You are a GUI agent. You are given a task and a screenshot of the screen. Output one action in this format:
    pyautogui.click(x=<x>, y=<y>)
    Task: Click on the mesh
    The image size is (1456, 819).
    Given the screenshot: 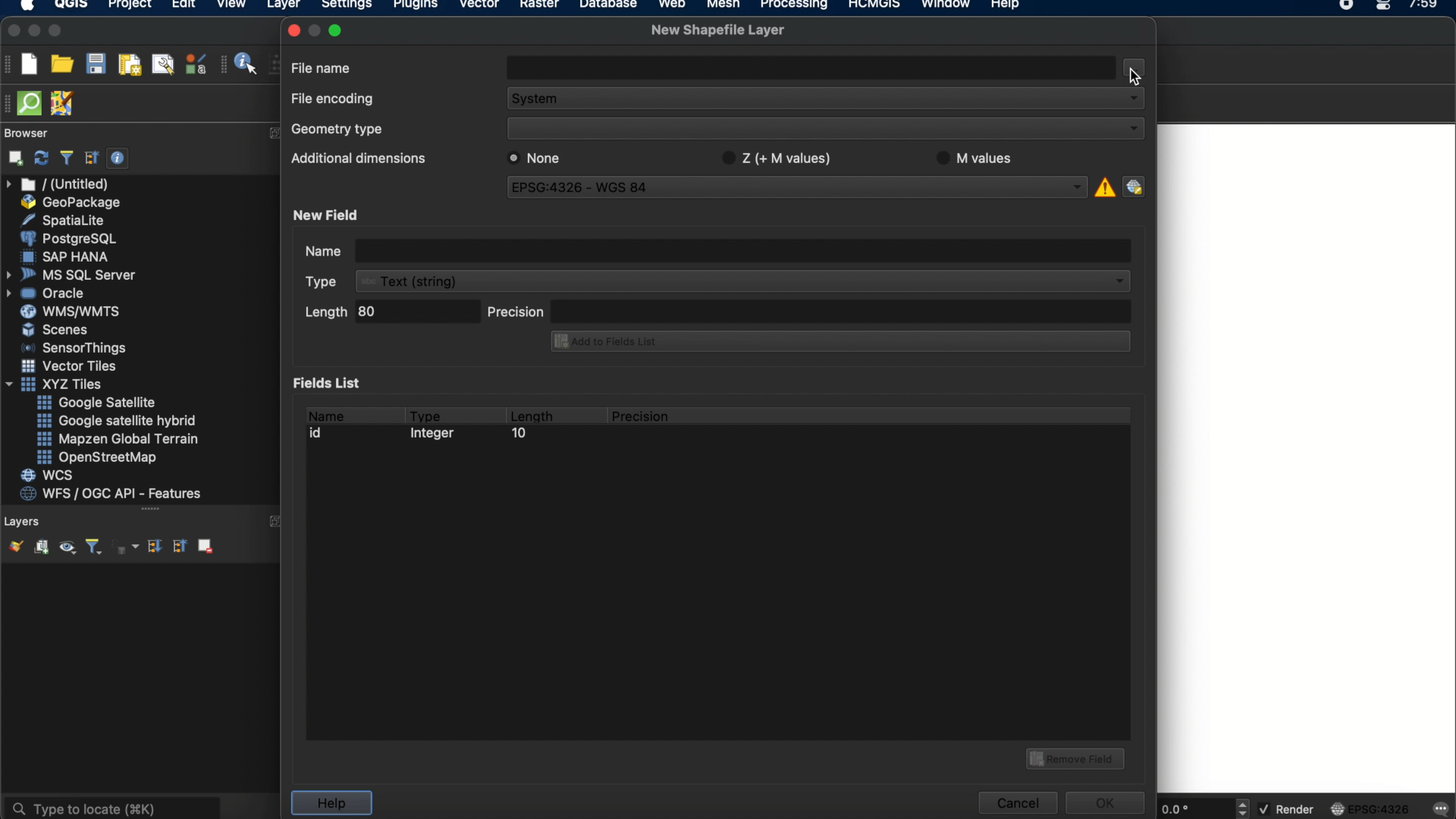 What is the action you would take?
    pyautogui.click(x=723, y=6)
    